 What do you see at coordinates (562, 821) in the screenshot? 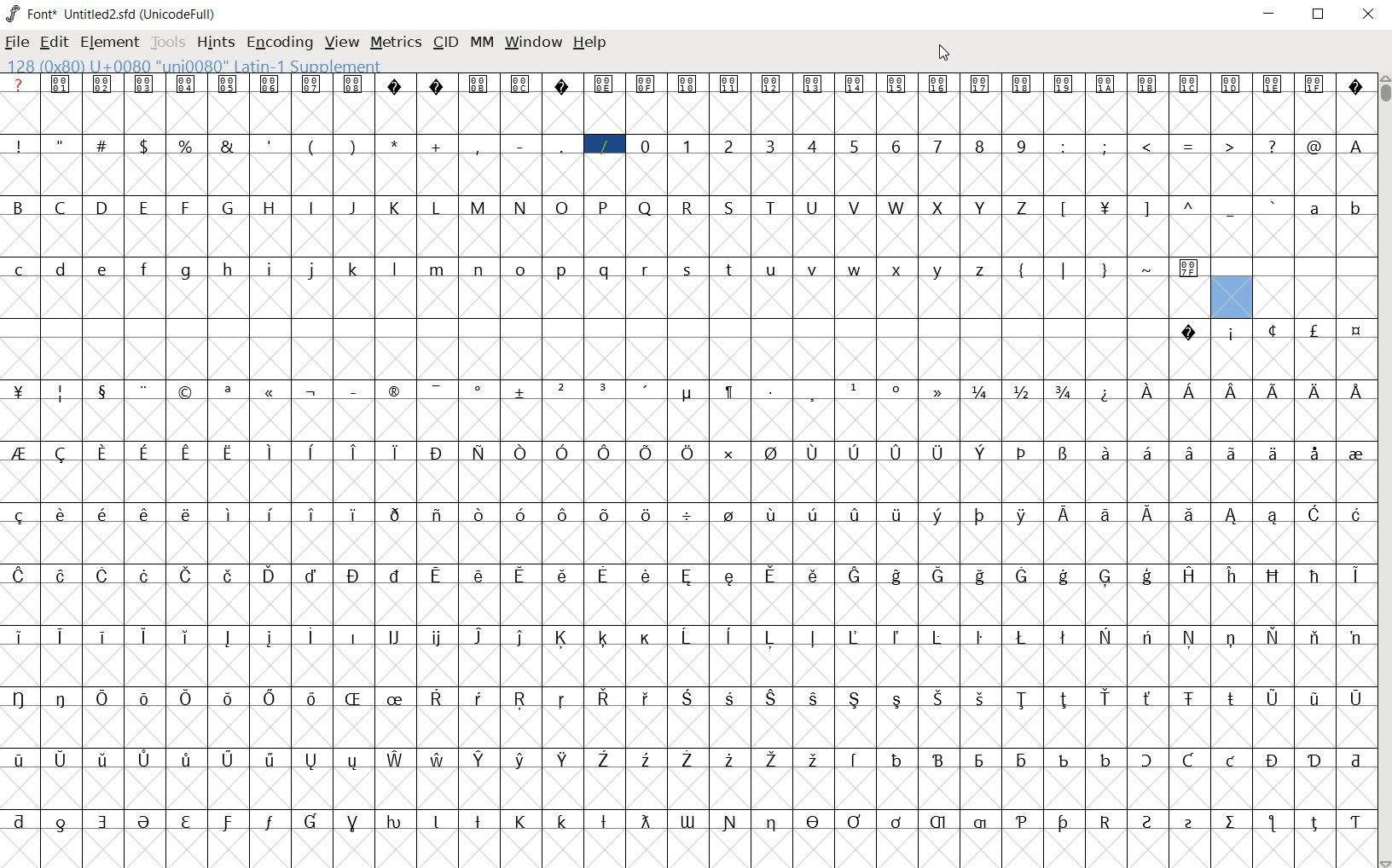
I see `glyph` at bounding box center [562, 821].